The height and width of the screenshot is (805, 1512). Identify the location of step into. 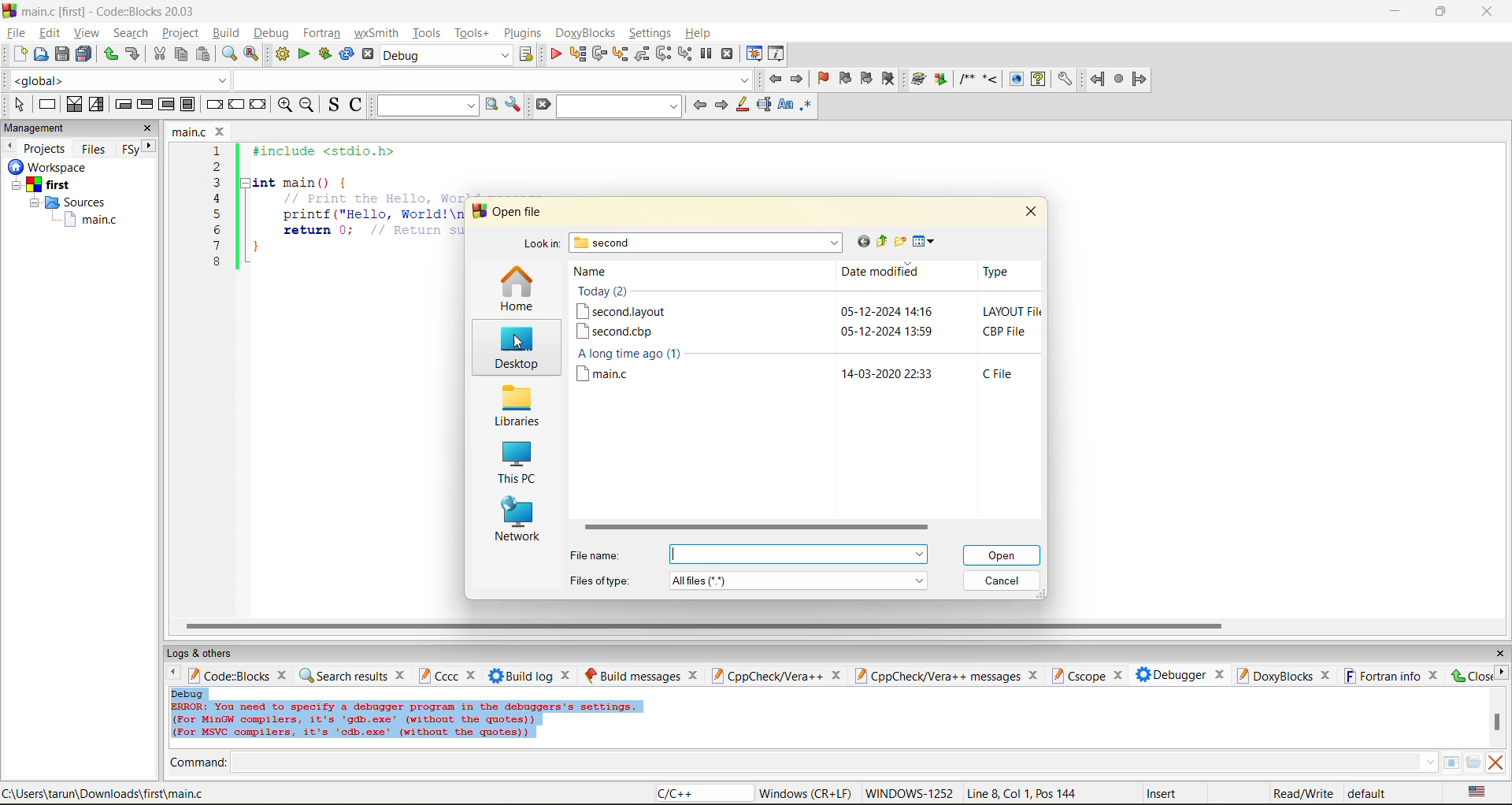
(619, 54).